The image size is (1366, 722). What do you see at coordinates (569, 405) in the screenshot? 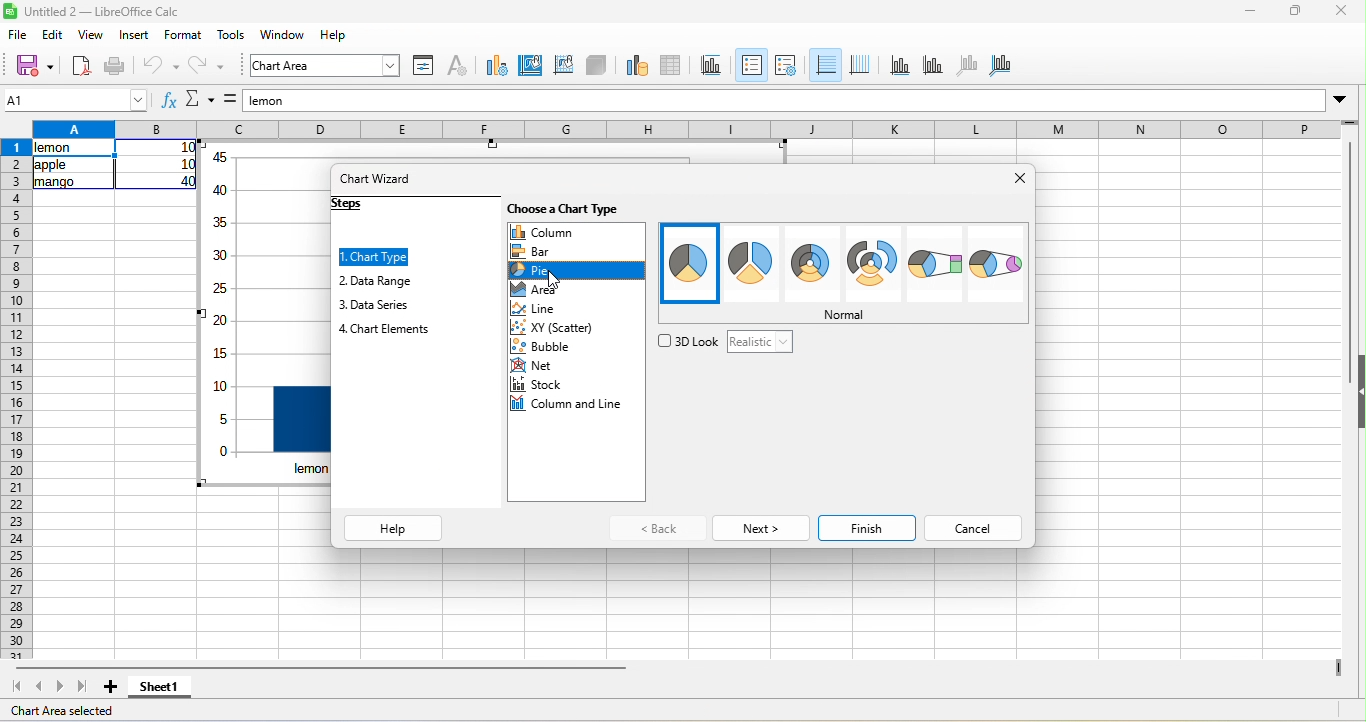
I see `column and line` at bounding box center [569, 405].